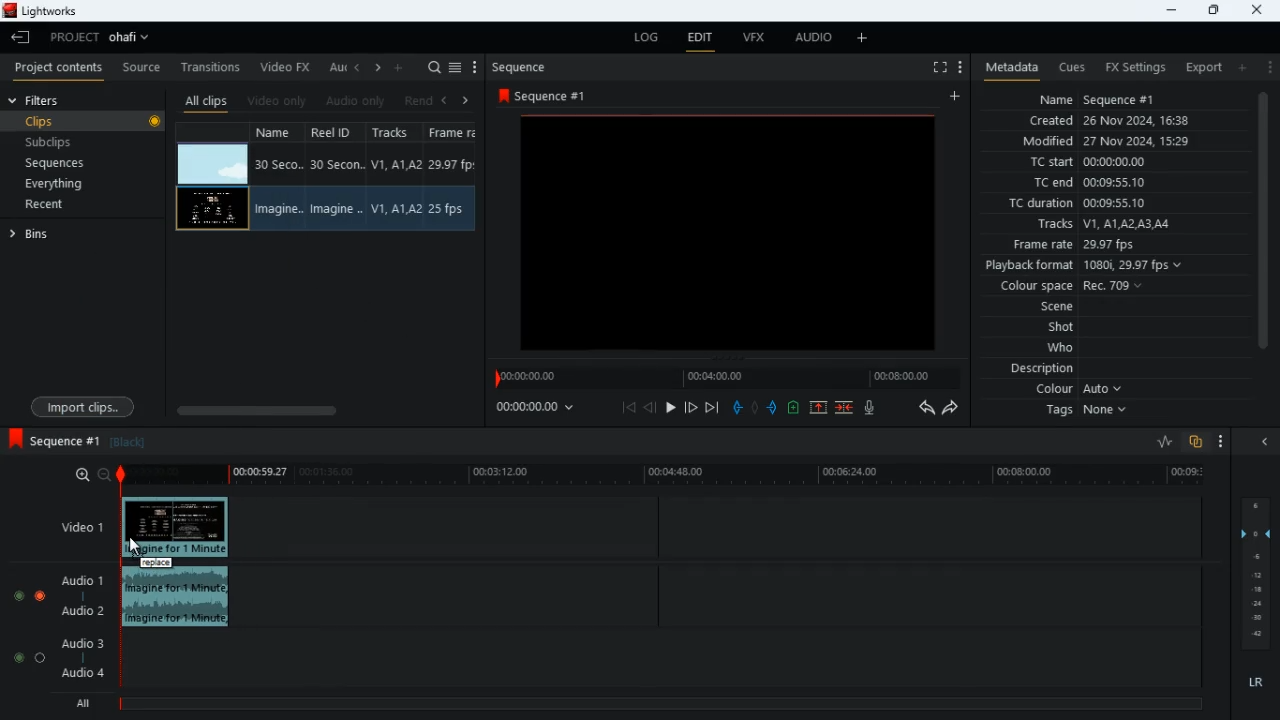 The width and height of the screenshot is (1280, 720). What do you see at coordinates (796, 410) in the screenshot?
I see `new` at bounding box center [796, 410].